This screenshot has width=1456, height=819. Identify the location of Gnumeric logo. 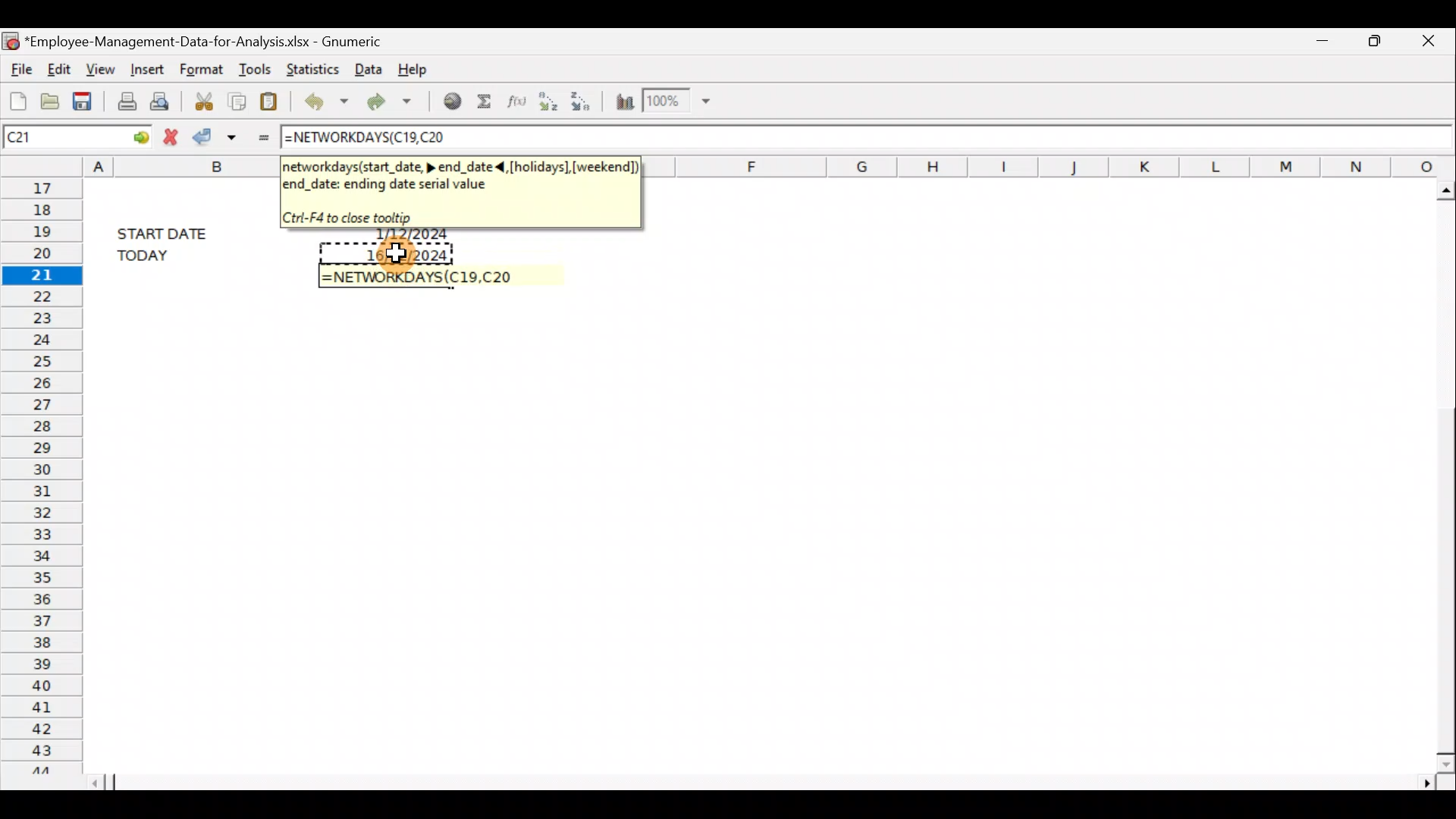
(11, 39).